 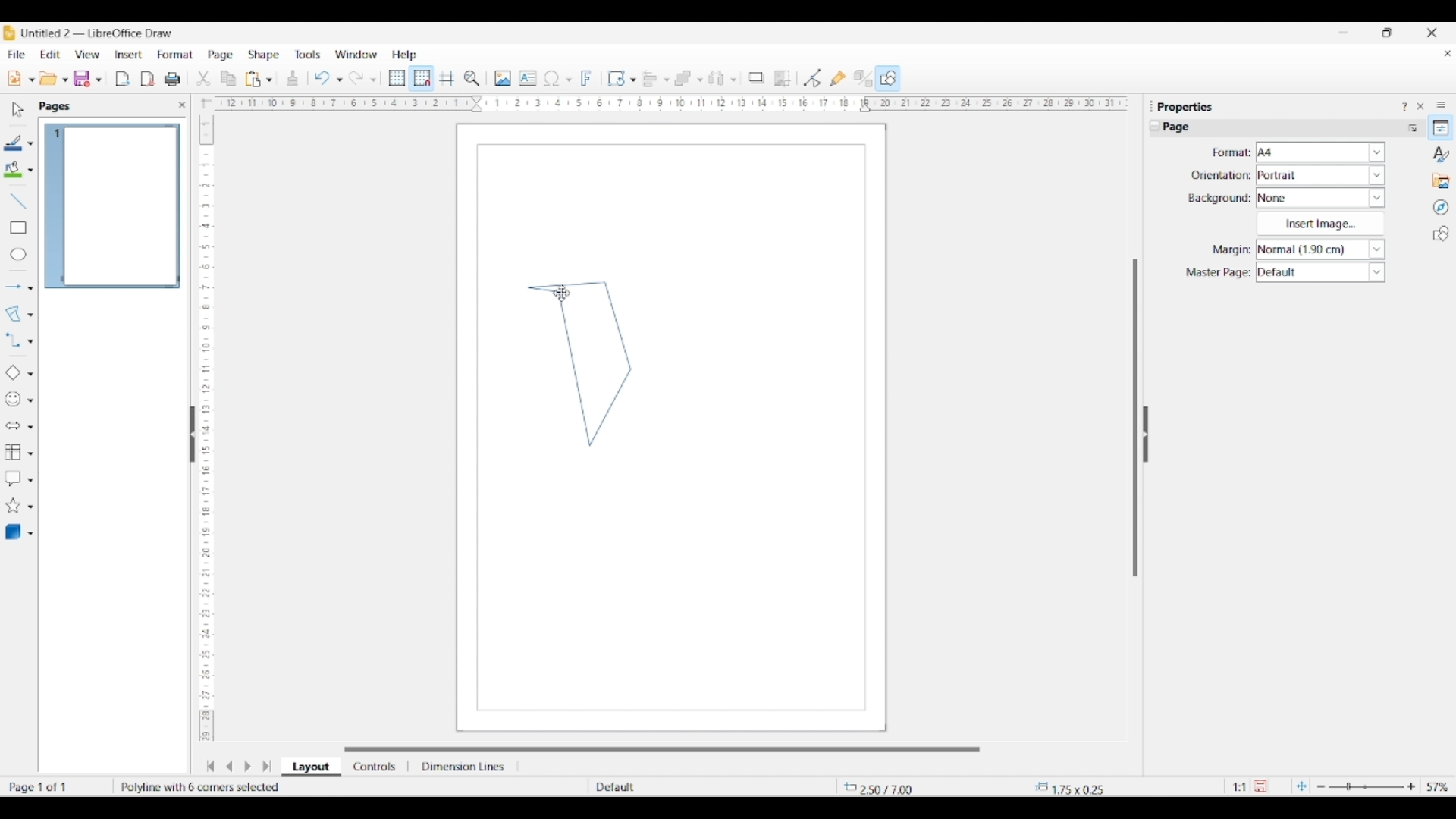 I want to click on Hide left sidebar, so click(x=193, y=435).